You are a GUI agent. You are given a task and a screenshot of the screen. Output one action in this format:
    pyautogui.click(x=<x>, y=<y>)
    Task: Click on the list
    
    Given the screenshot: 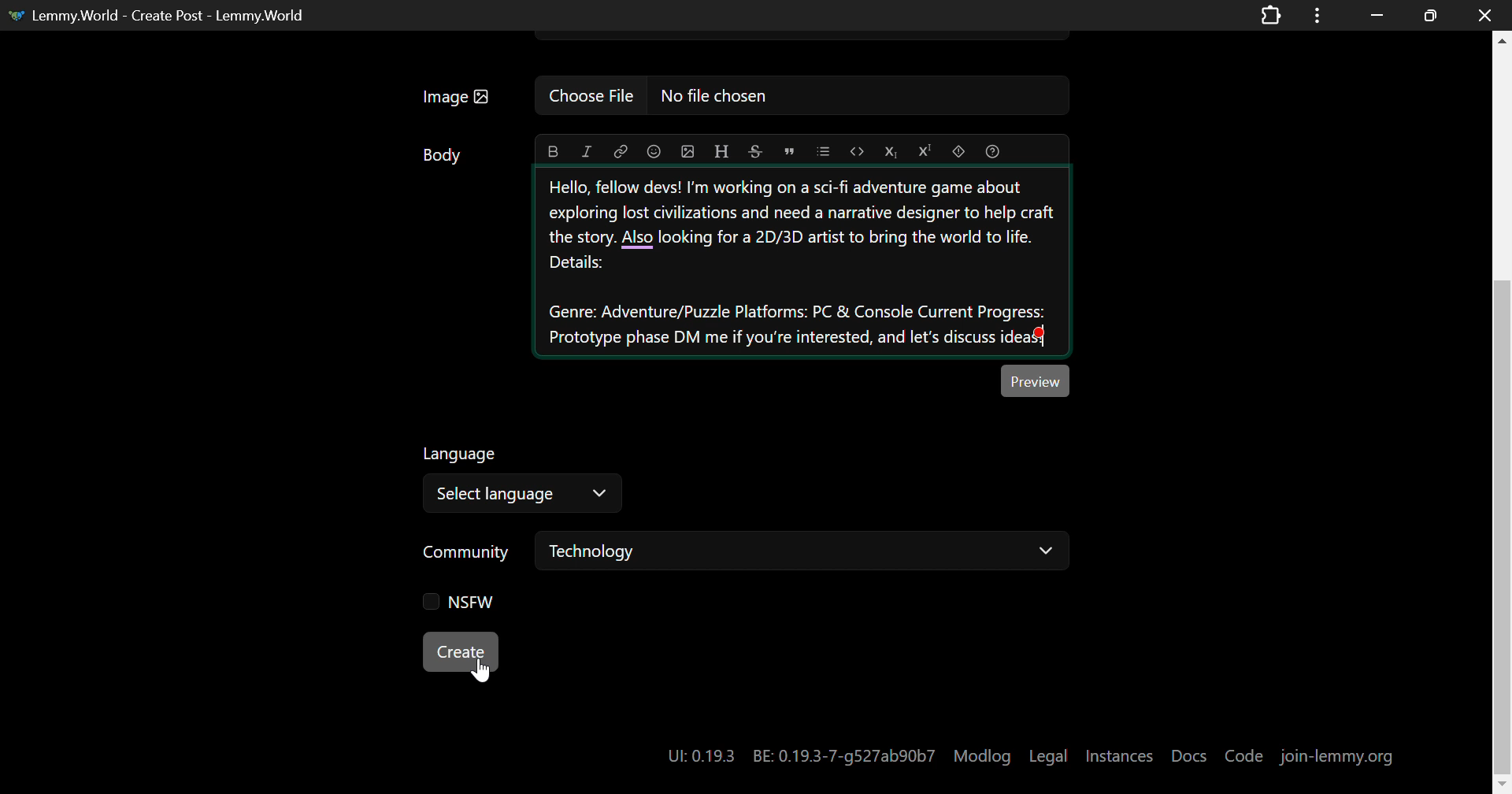 What is the action you would take?
    pyautogui.click(x=825, y=151)
    